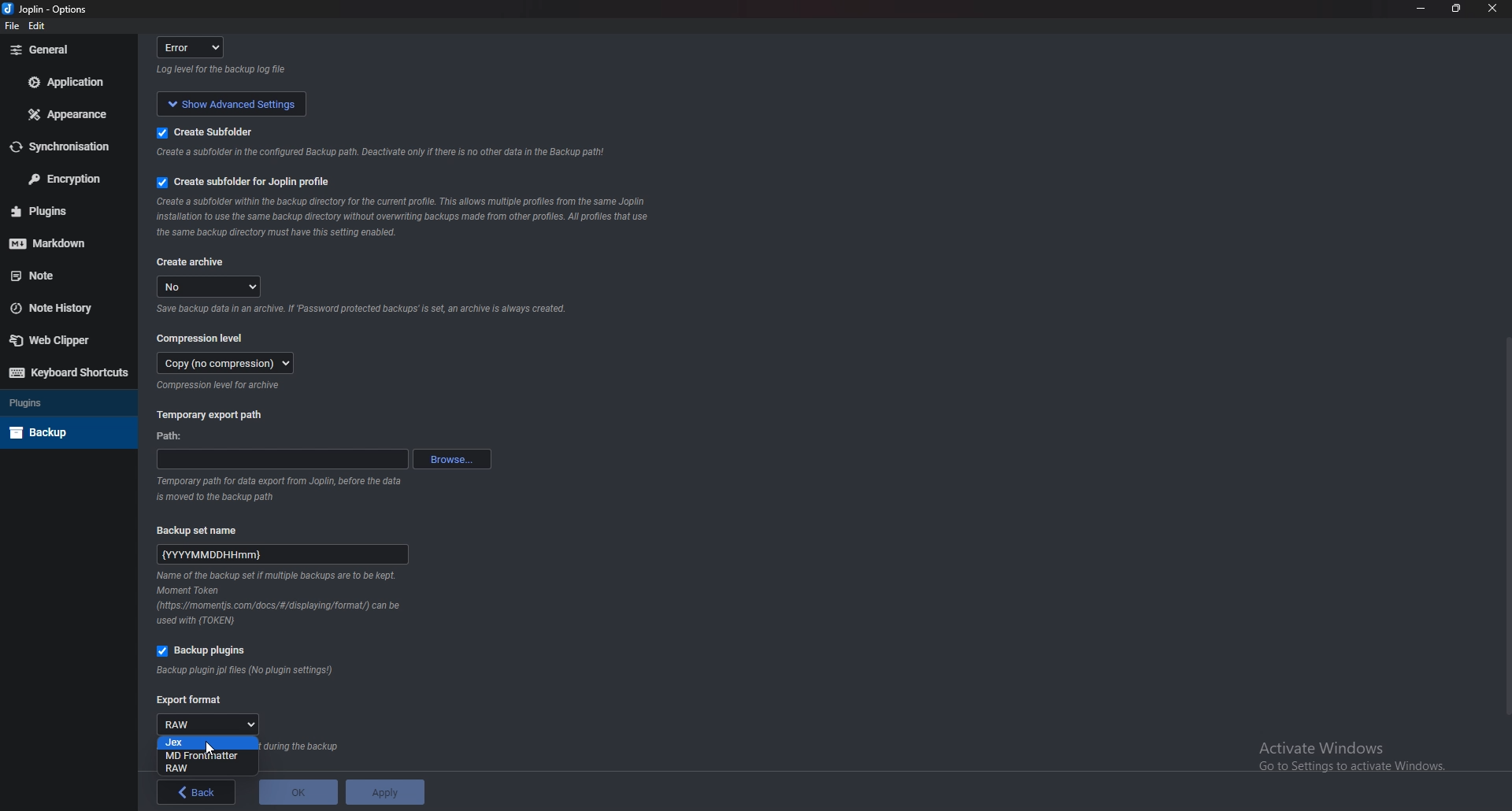 The height and width of the screenshot is (811, 1512). Describe the element at coordinates (228, 102) in the screenshot. I see `show advanced settings` at that location.